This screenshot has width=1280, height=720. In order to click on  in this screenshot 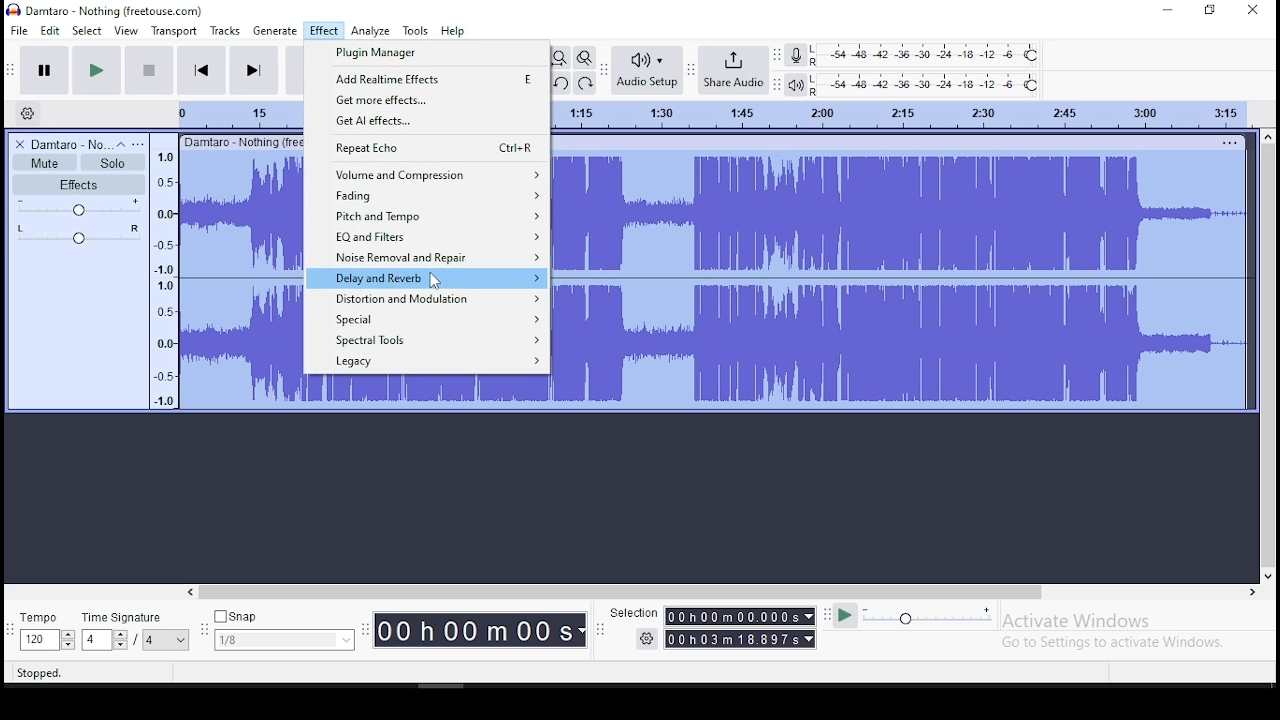, I will do `click(201, 629)`.